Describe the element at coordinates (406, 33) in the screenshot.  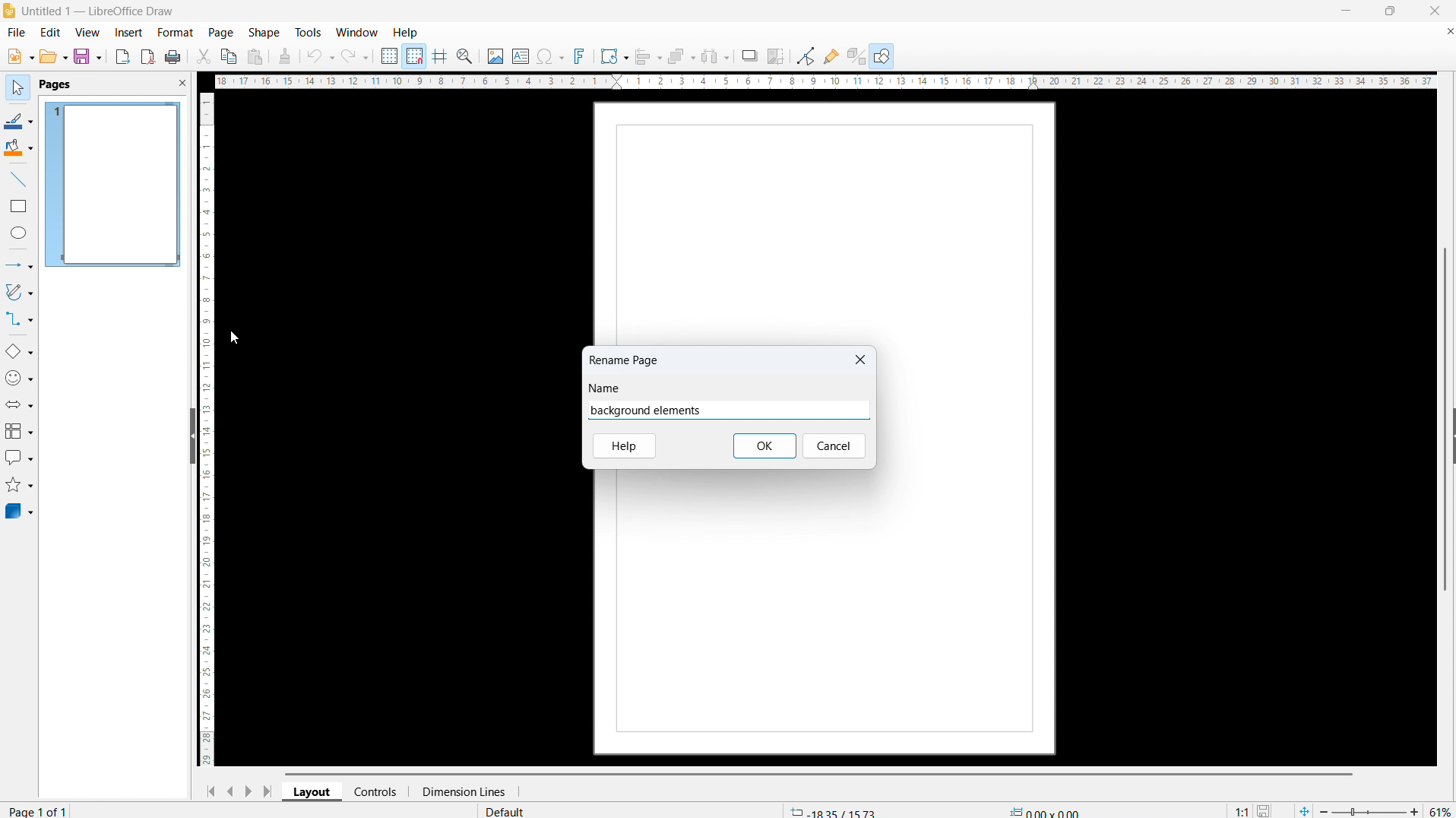
I see `help` at that location.